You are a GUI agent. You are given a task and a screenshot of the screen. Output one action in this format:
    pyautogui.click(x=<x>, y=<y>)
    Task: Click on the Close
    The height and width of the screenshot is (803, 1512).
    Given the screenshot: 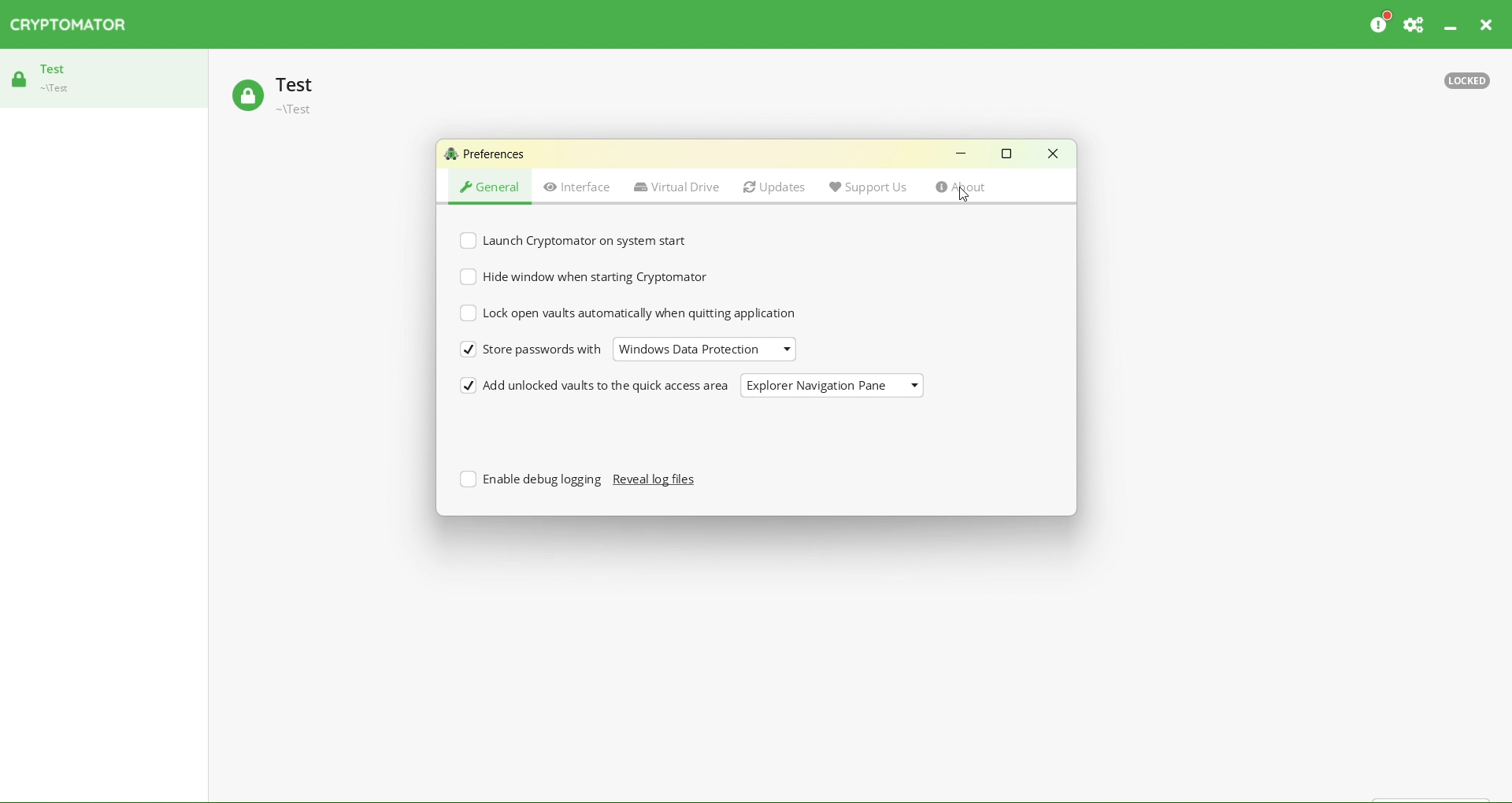 What is the action you would take?
    pyautogui.click(x=1052, y=154)
    